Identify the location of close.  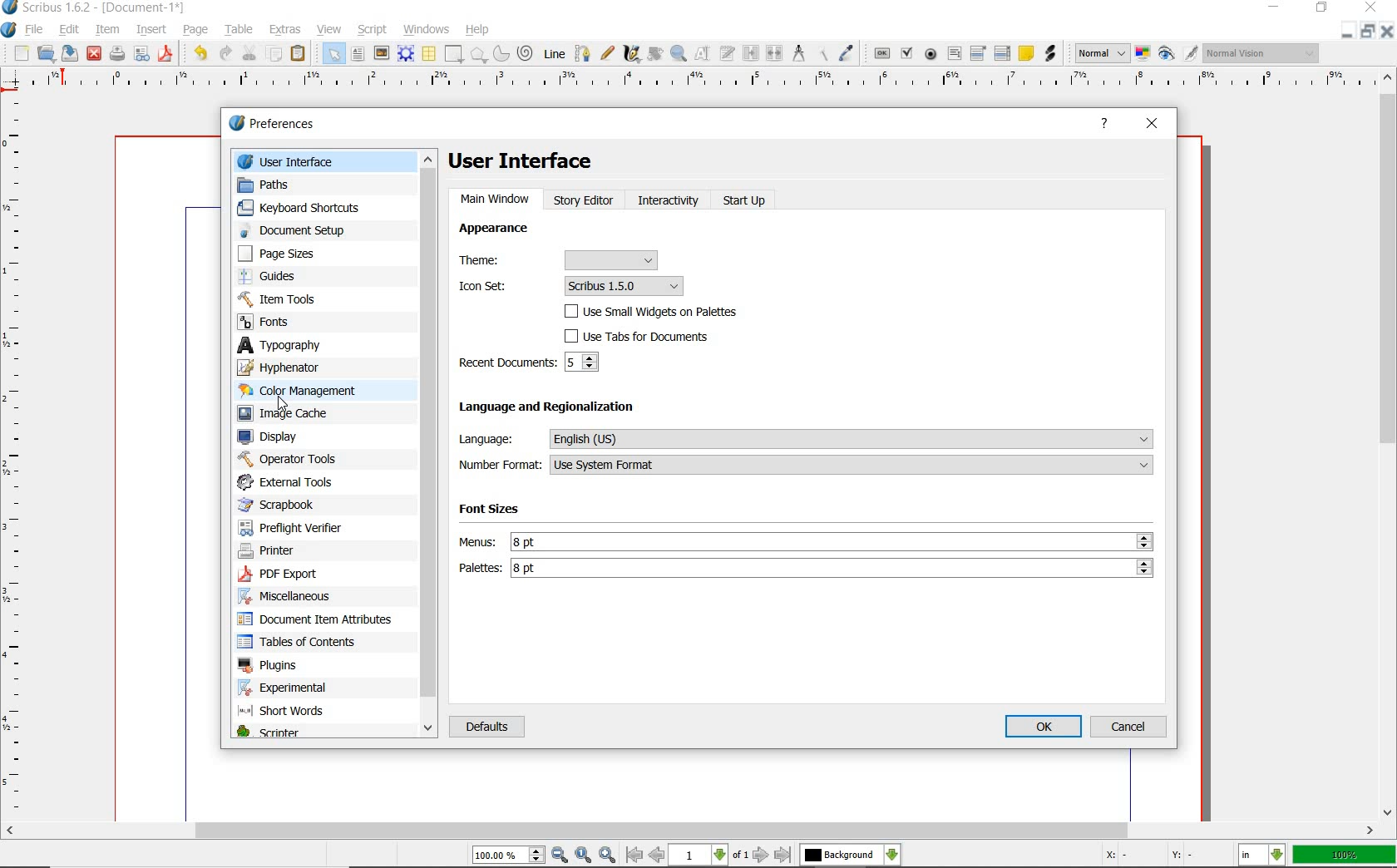
(1371, 8).